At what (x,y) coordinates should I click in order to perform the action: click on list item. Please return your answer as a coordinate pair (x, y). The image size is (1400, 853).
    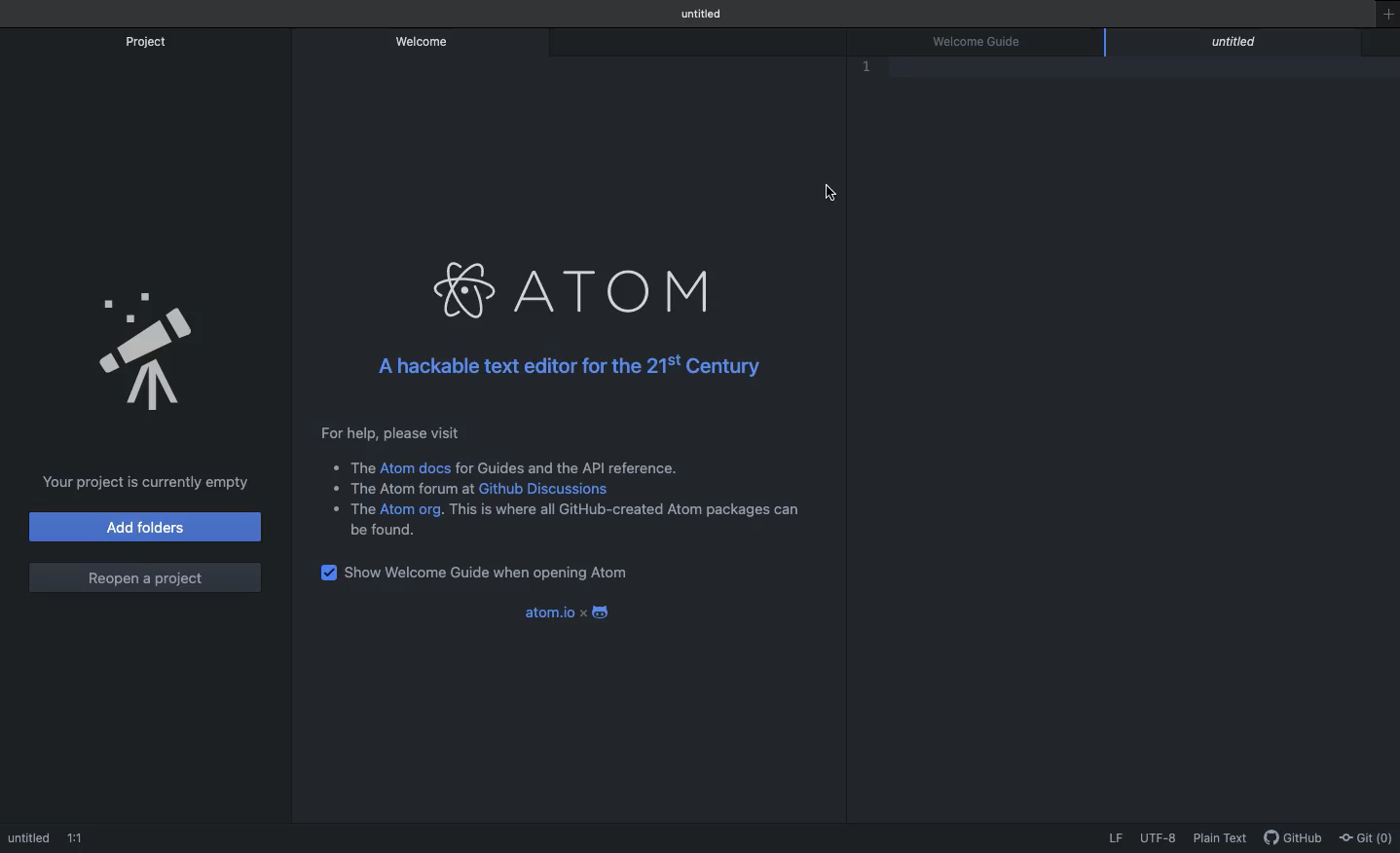
    Looking at the image, I should click on (346, 464).